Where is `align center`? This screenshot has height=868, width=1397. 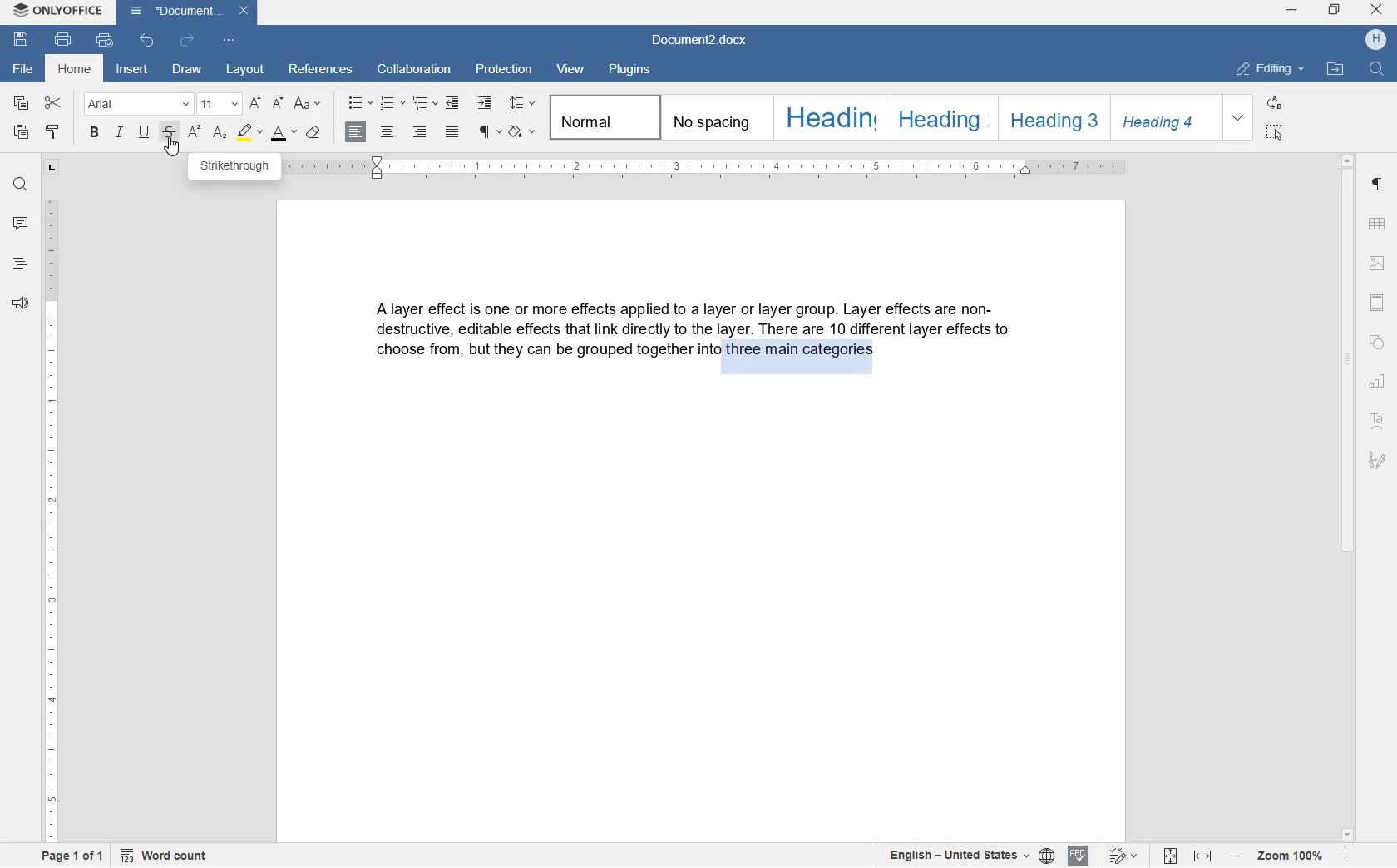 align center is located at coordinates (388, 136).